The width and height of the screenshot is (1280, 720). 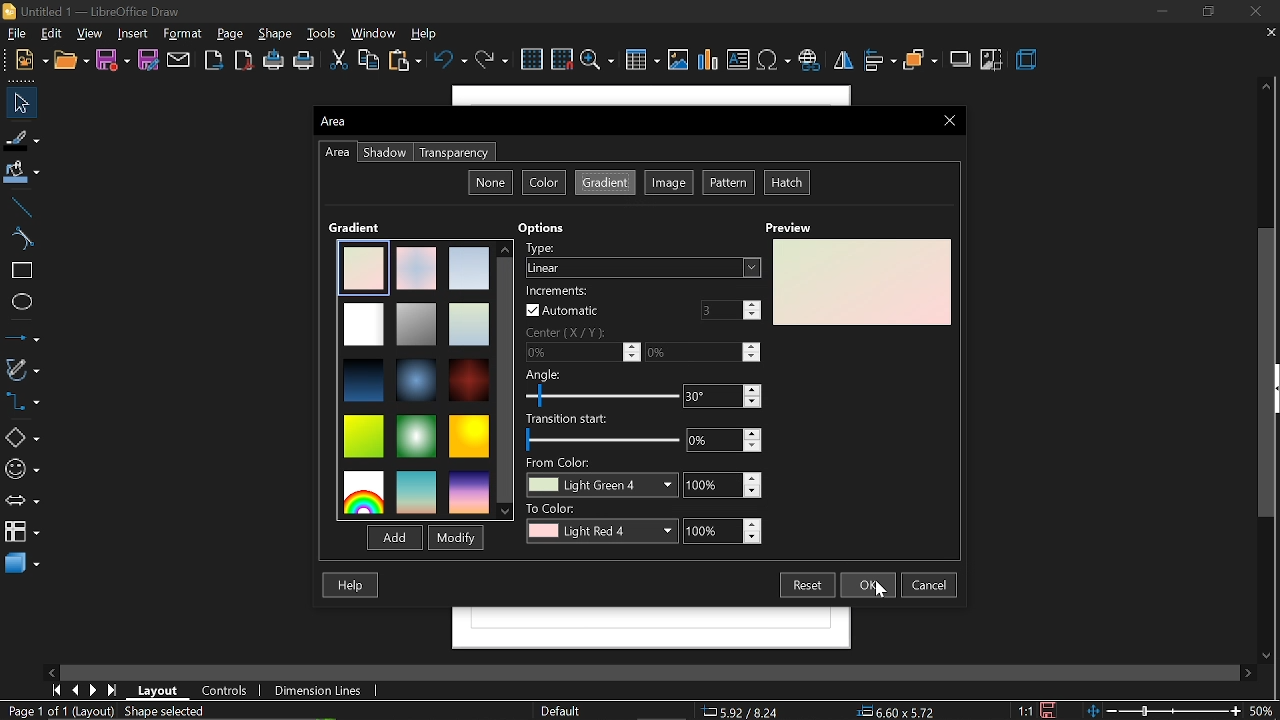 I want to click on grid, so click(x=531, y=59).